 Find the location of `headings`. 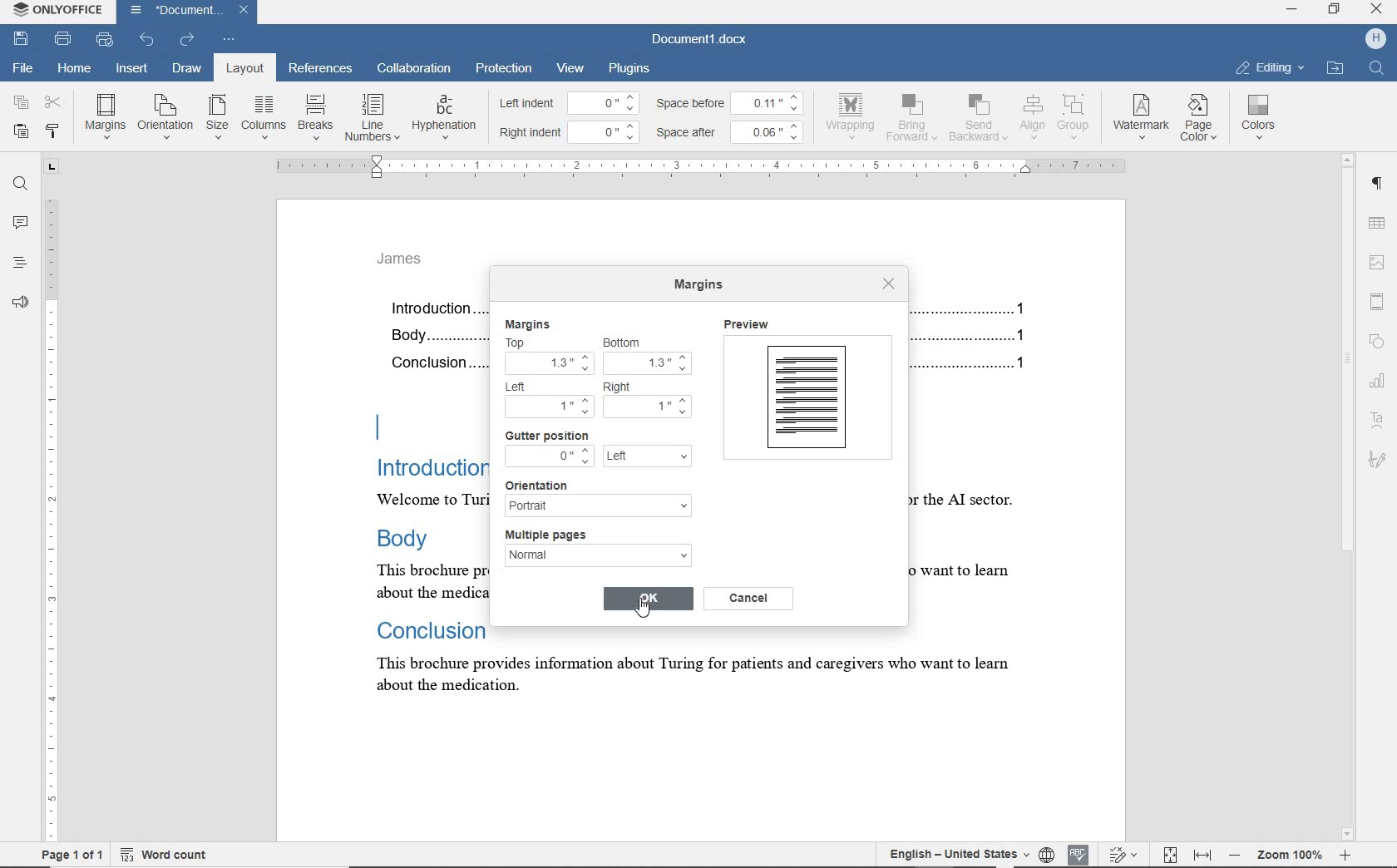

headings is located at coordinates (16, 264).